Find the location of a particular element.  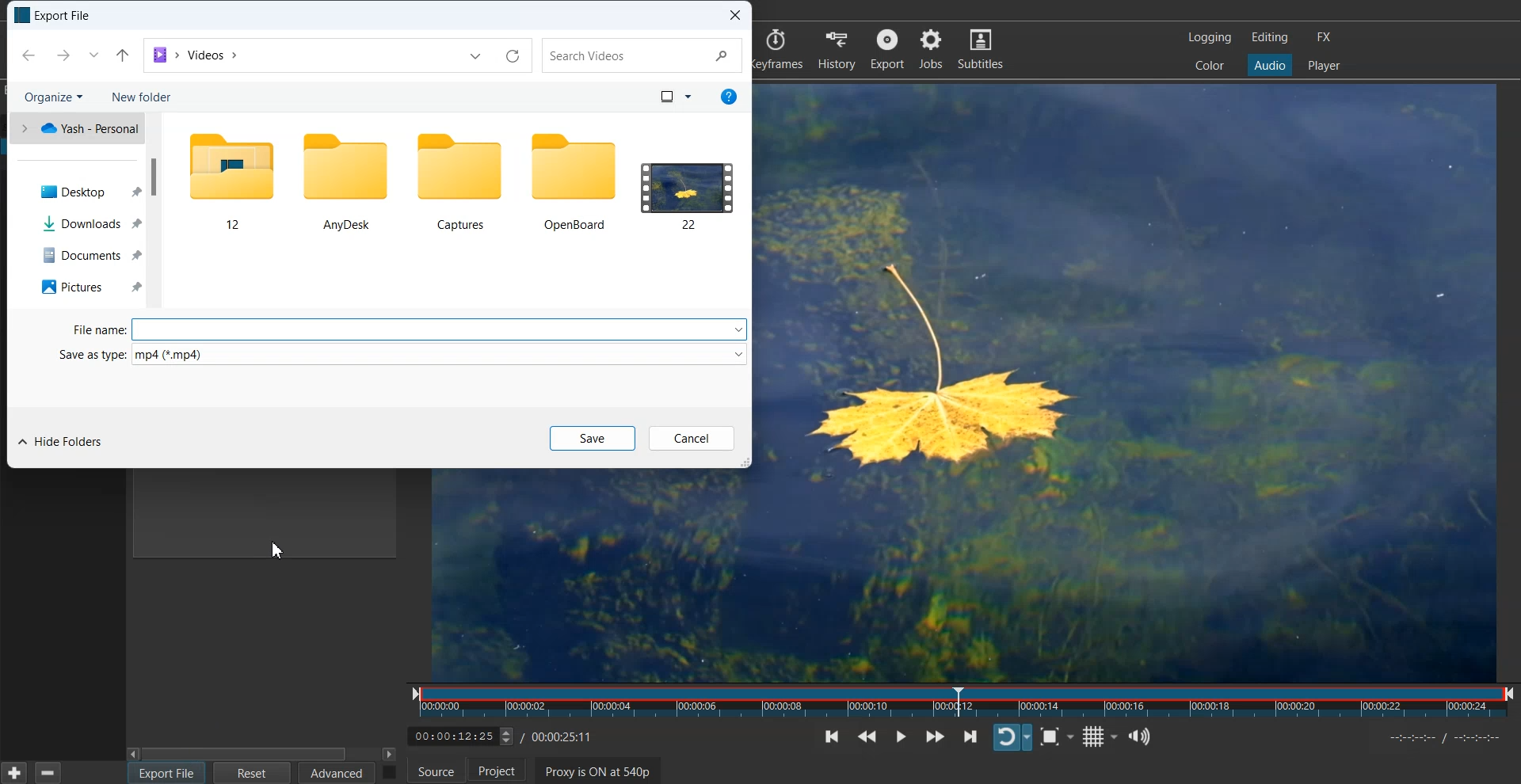

Proxy is ON at 540p is located at coordinates (605, 772).